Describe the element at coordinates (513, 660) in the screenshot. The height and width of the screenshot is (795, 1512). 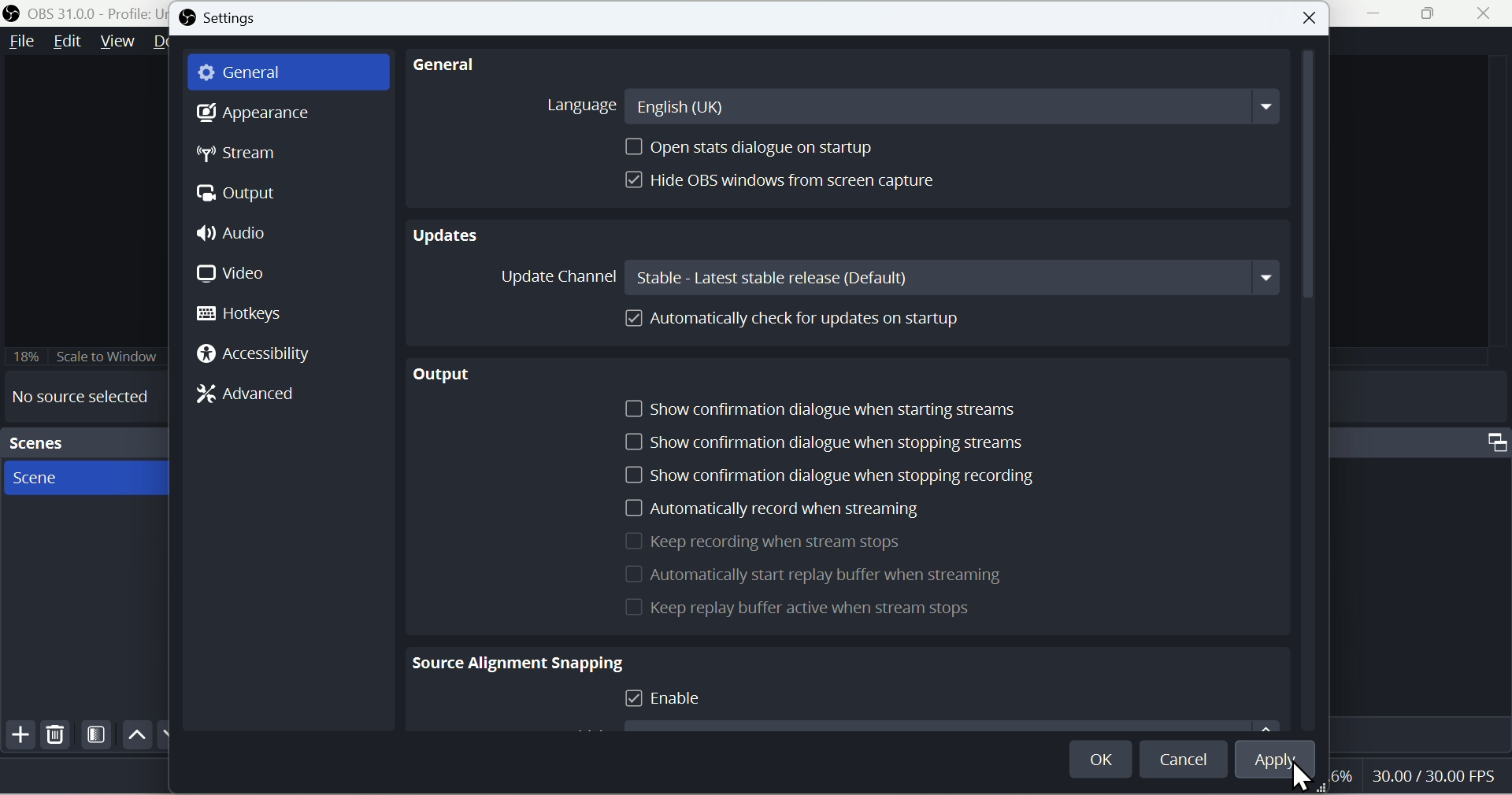
I see `Source Alignment Snapping` at that location.